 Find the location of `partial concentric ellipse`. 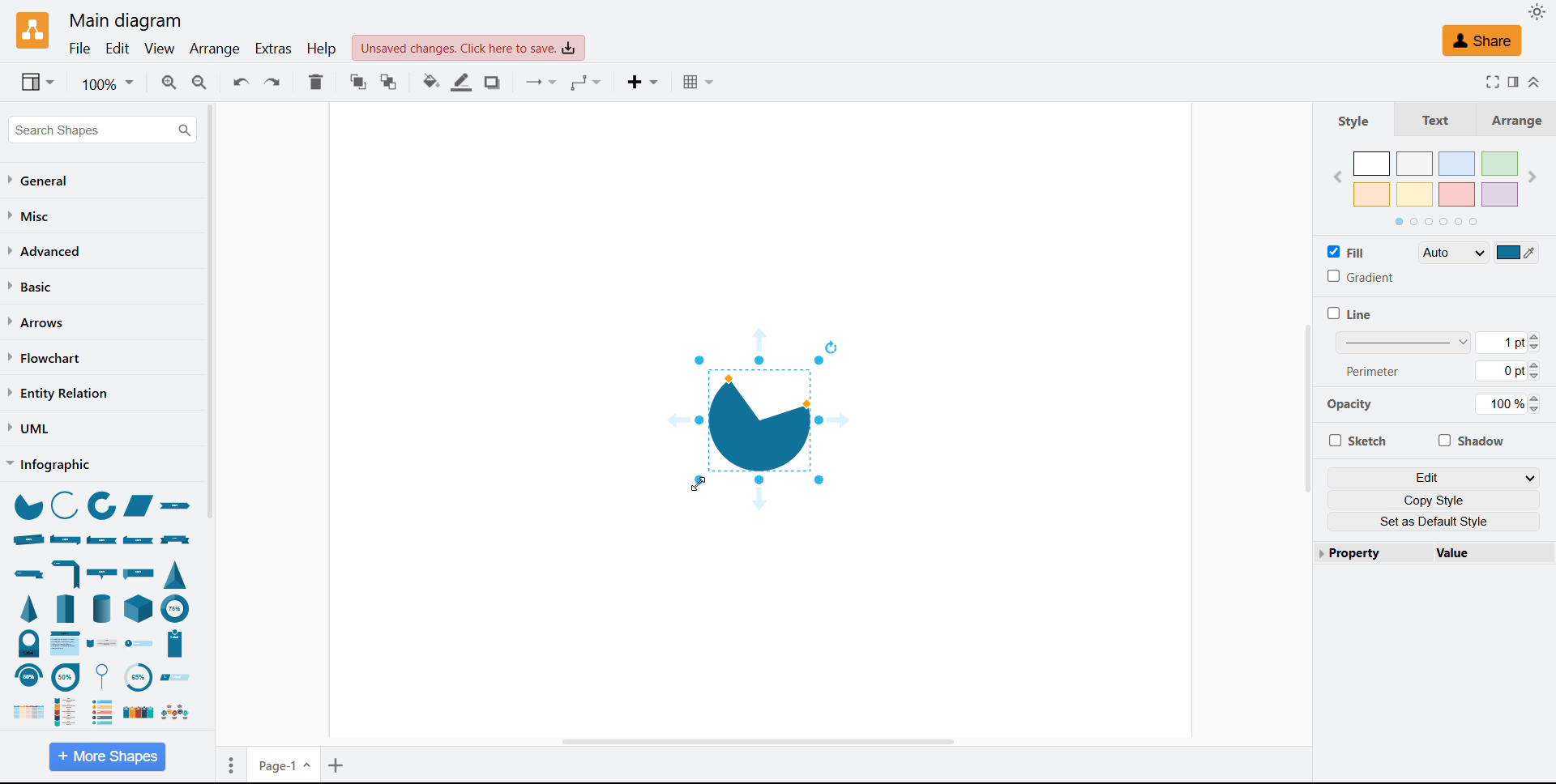

partial concentric ellipse is located at coordinates (103, 507).